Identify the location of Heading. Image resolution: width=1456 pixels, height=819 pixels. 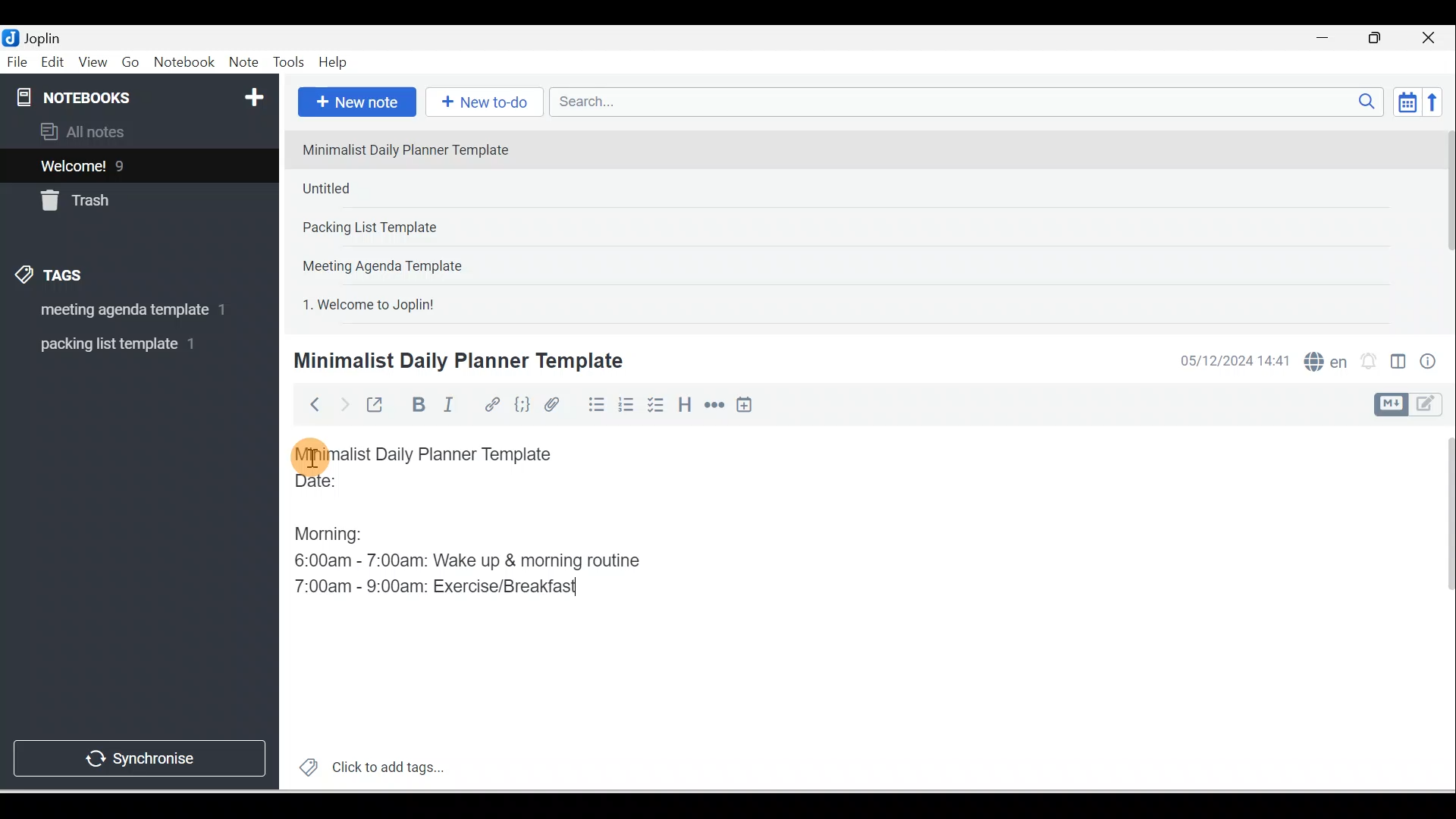
(684, 403).